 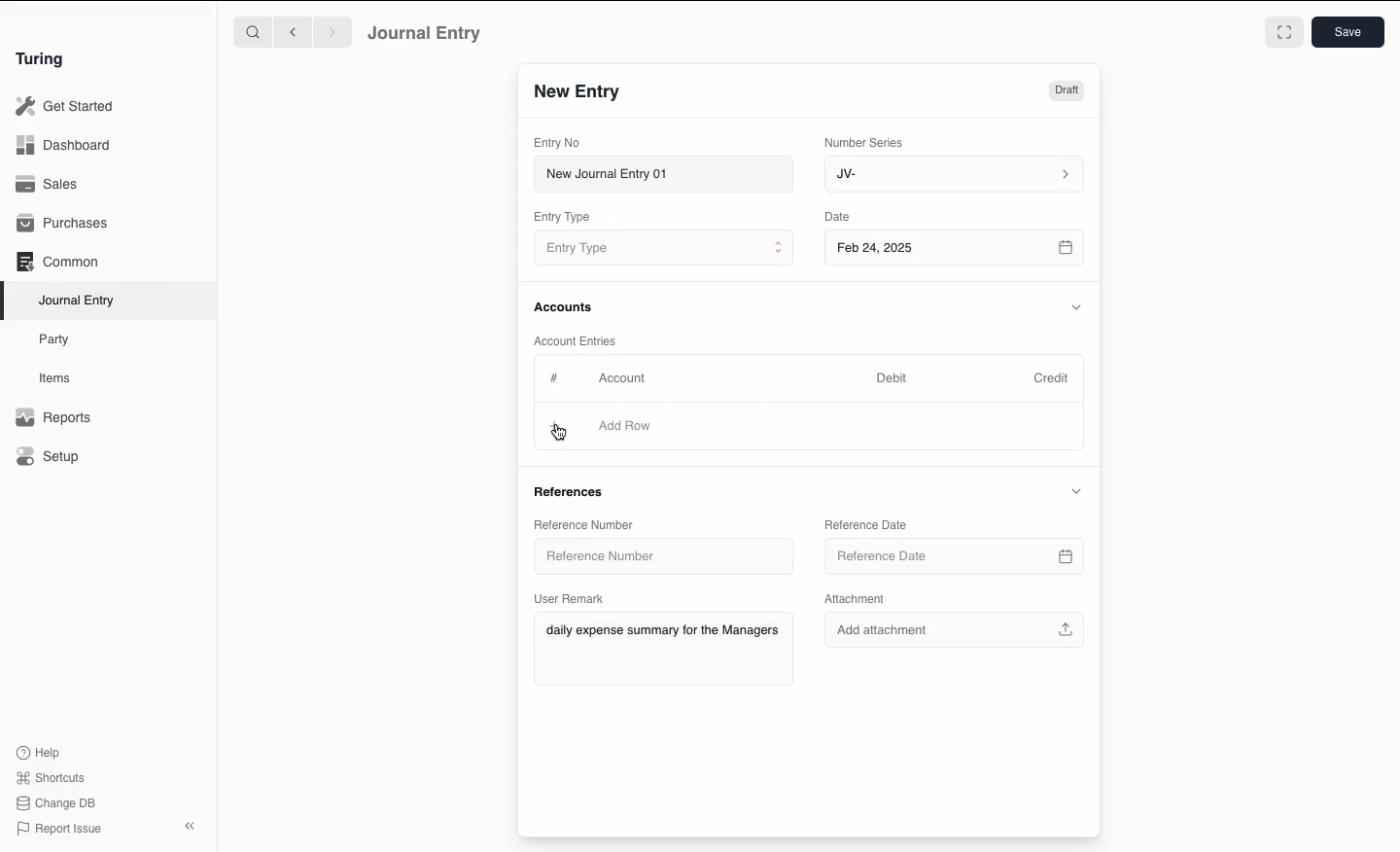 What do you see at coordinates (66, 107) in the screenshot?
I see `Get Started` at bounding box center [66, 107].